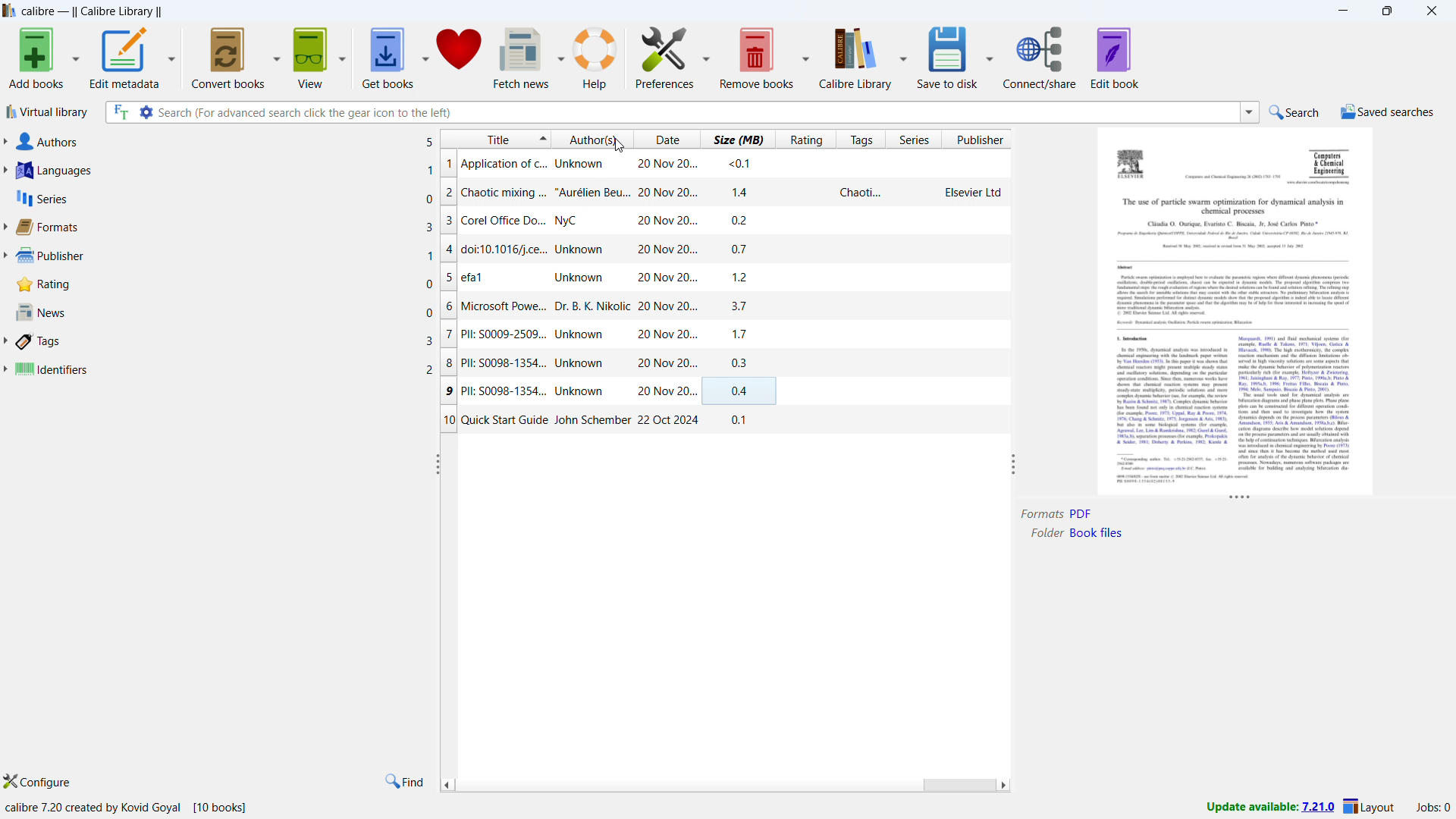 The image size is (1456, 819). Describe the element at coordinates (1102, 533) in the screenshot. I see `Book Files` at that location.